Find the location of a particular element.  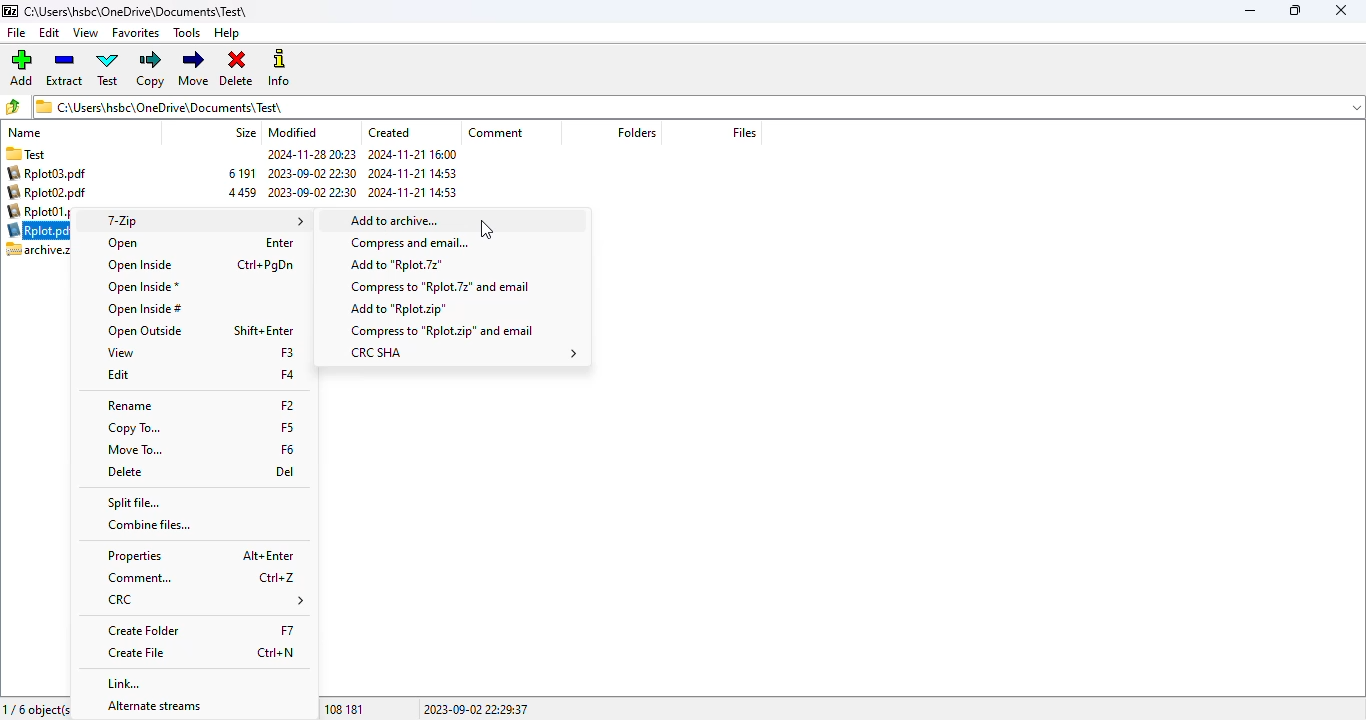

folder is located at coordinates (40, 152).